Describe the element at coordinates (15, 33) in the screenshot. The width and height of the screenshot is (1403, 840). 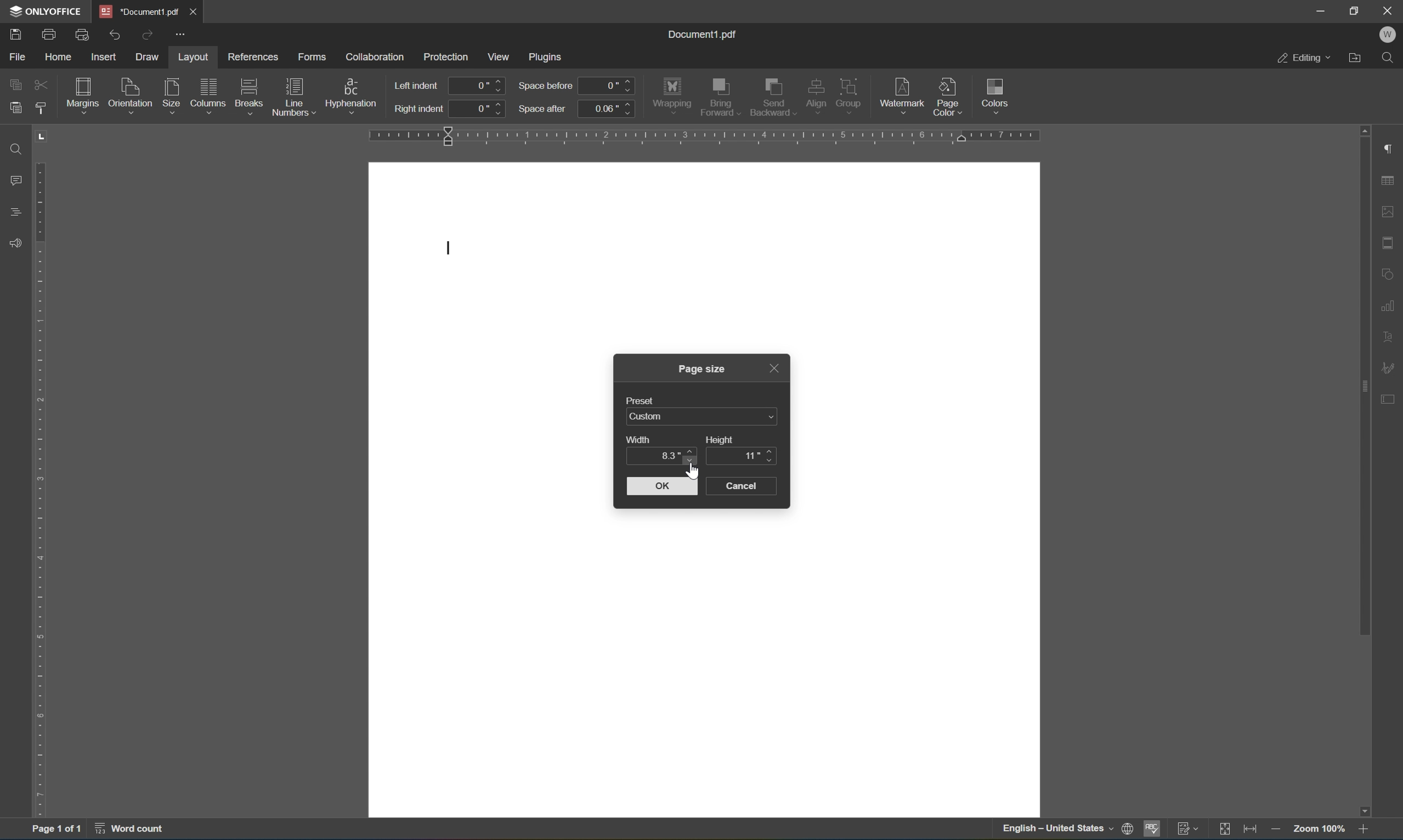
I see `save` at that location.